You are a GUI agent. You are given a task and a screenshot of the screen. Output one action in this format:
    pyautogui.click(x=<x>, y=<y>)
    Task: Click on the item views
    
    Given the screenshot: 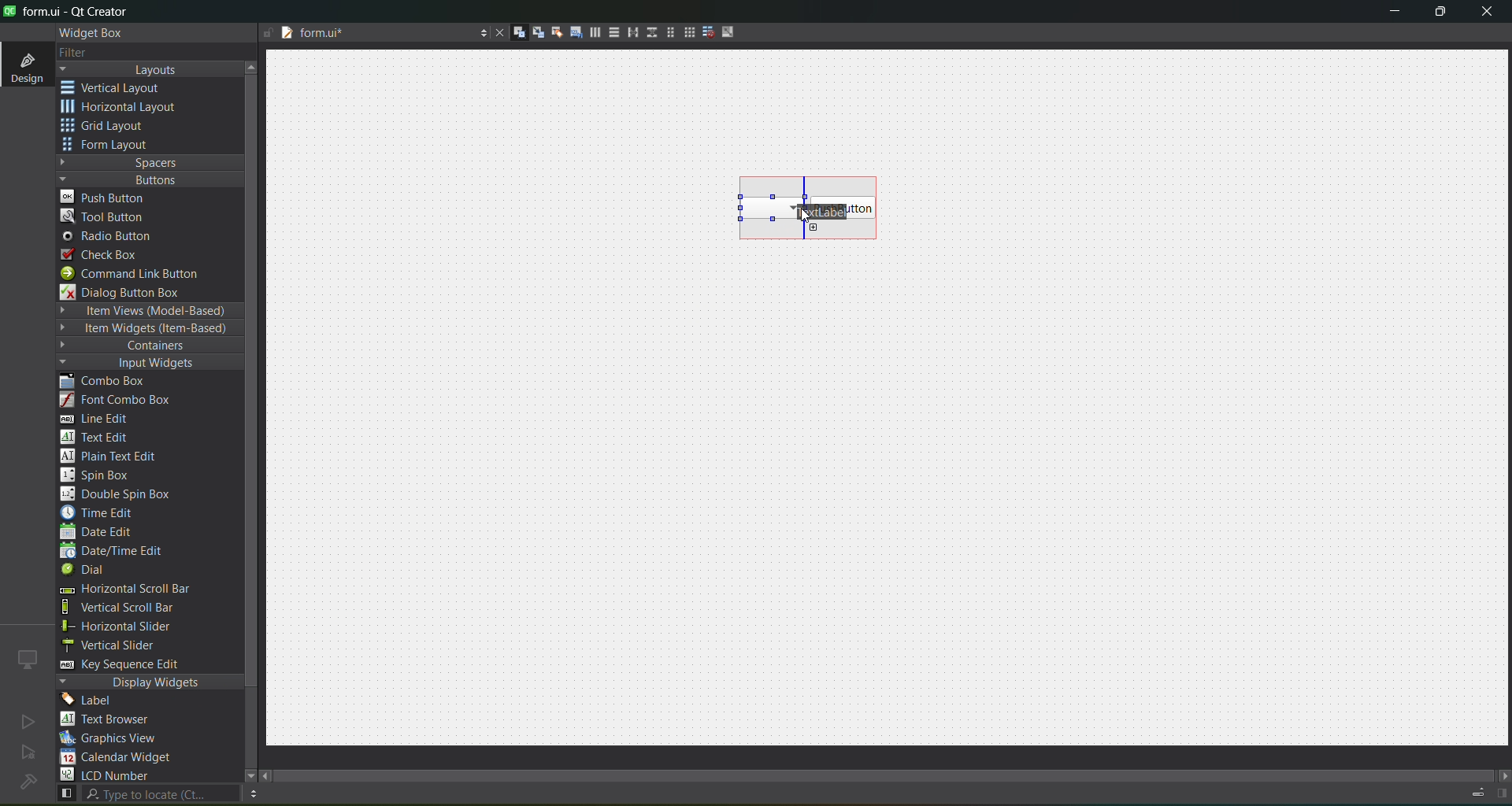 What is the action you would take?
    pyautogui.click(x=148, y=312)
    